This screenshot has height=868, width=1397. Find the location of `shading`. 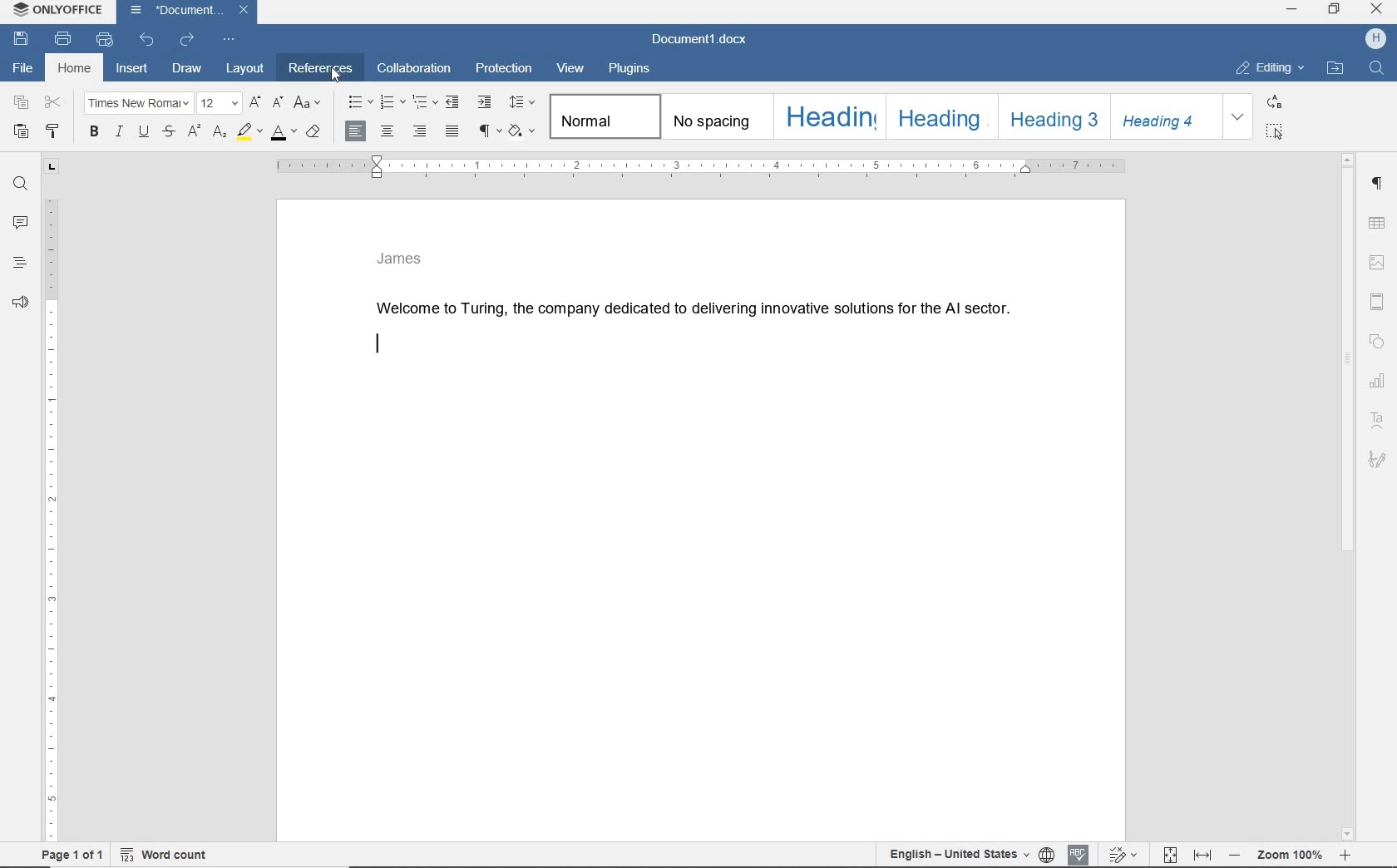

shading is located at coordinates (524, 133).